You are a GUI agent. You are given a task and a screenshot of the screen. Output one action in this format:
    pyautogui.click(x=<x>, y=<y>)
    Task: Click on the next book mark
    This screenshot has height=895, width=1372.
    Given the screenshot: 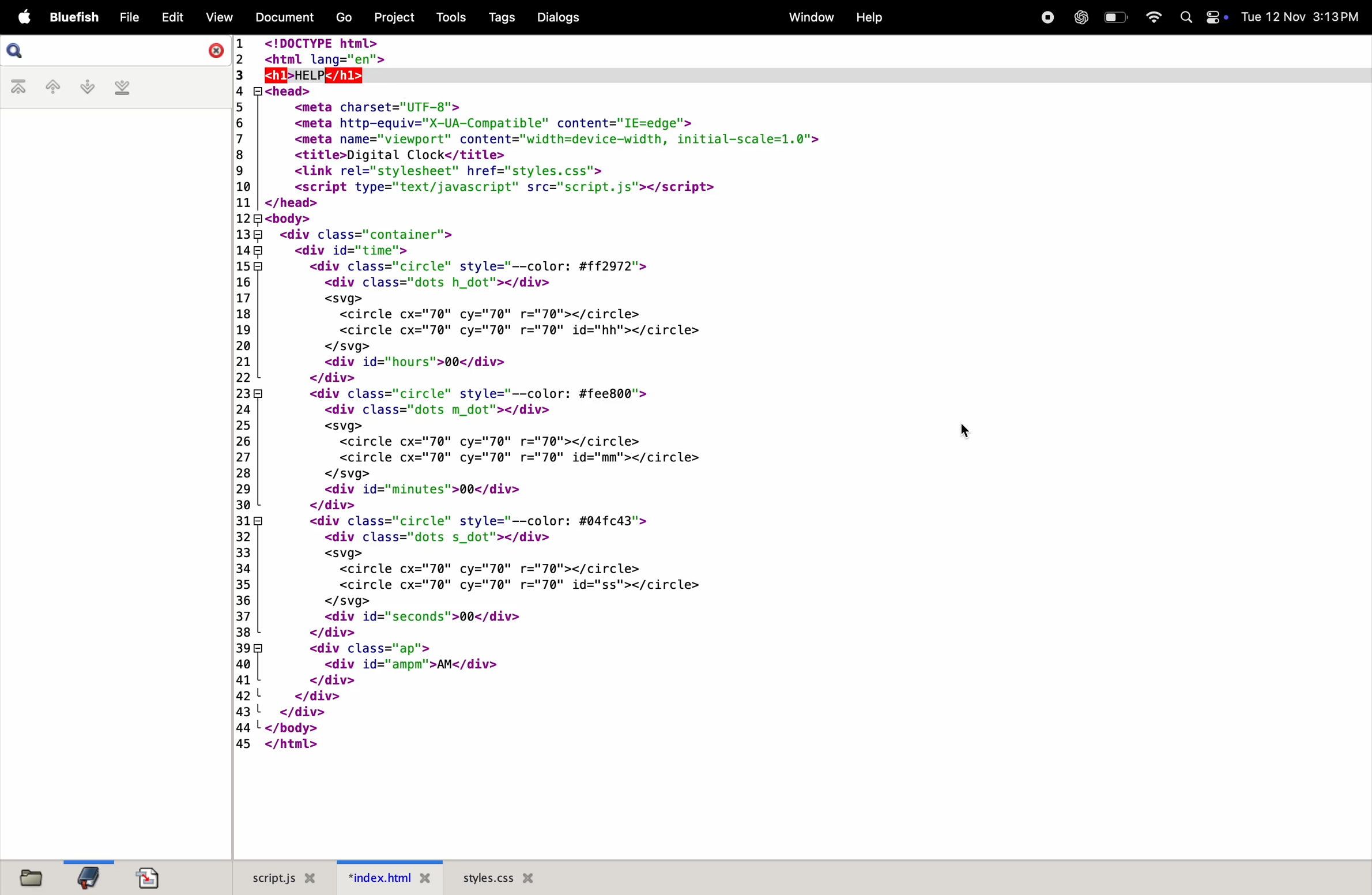 What is the action you would take?
    pyautogui.click(x=87, y=87)
    